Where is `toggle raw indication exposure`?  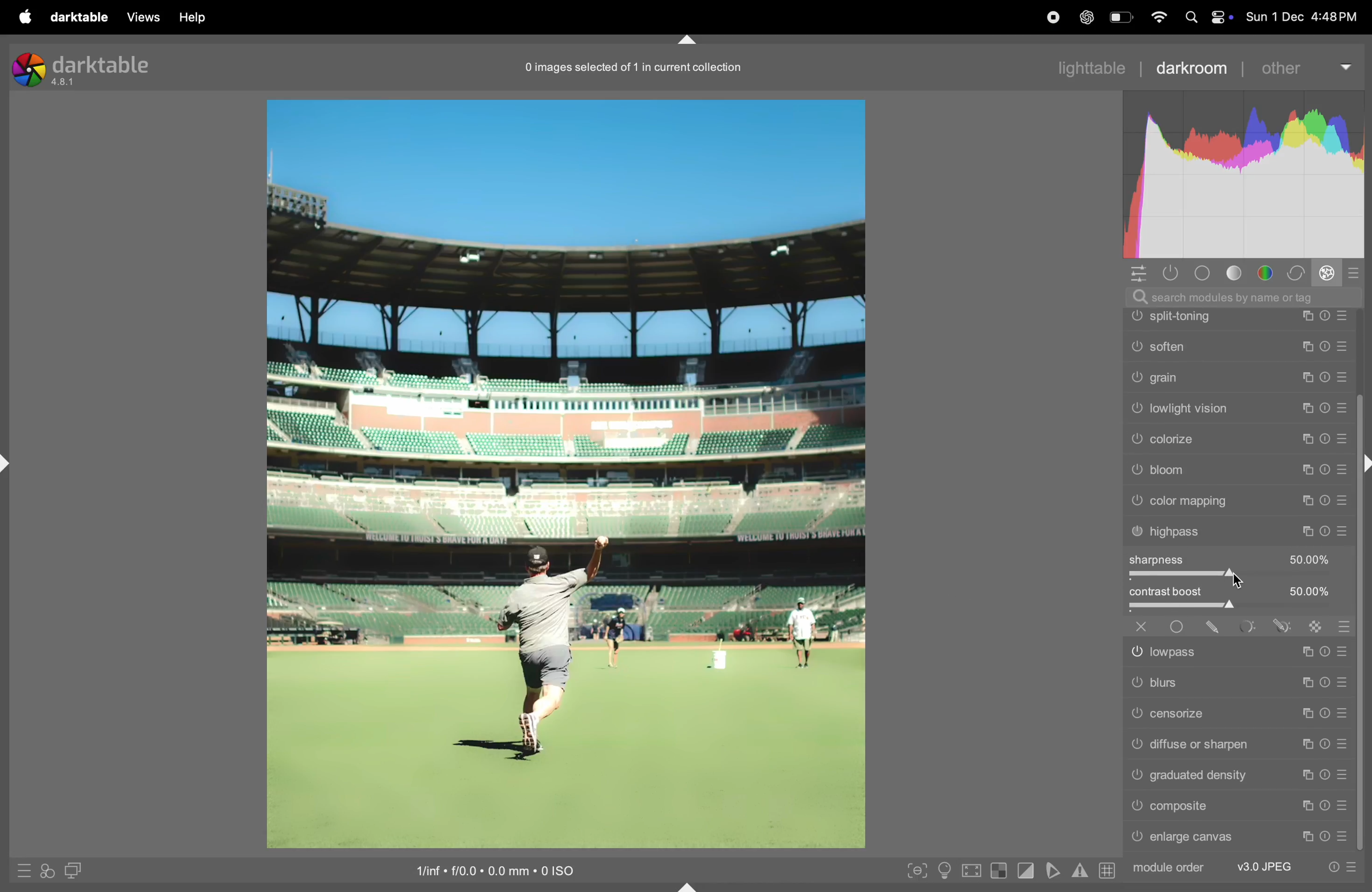 toggle raw indication exposure is located at coordinates (998, 872).